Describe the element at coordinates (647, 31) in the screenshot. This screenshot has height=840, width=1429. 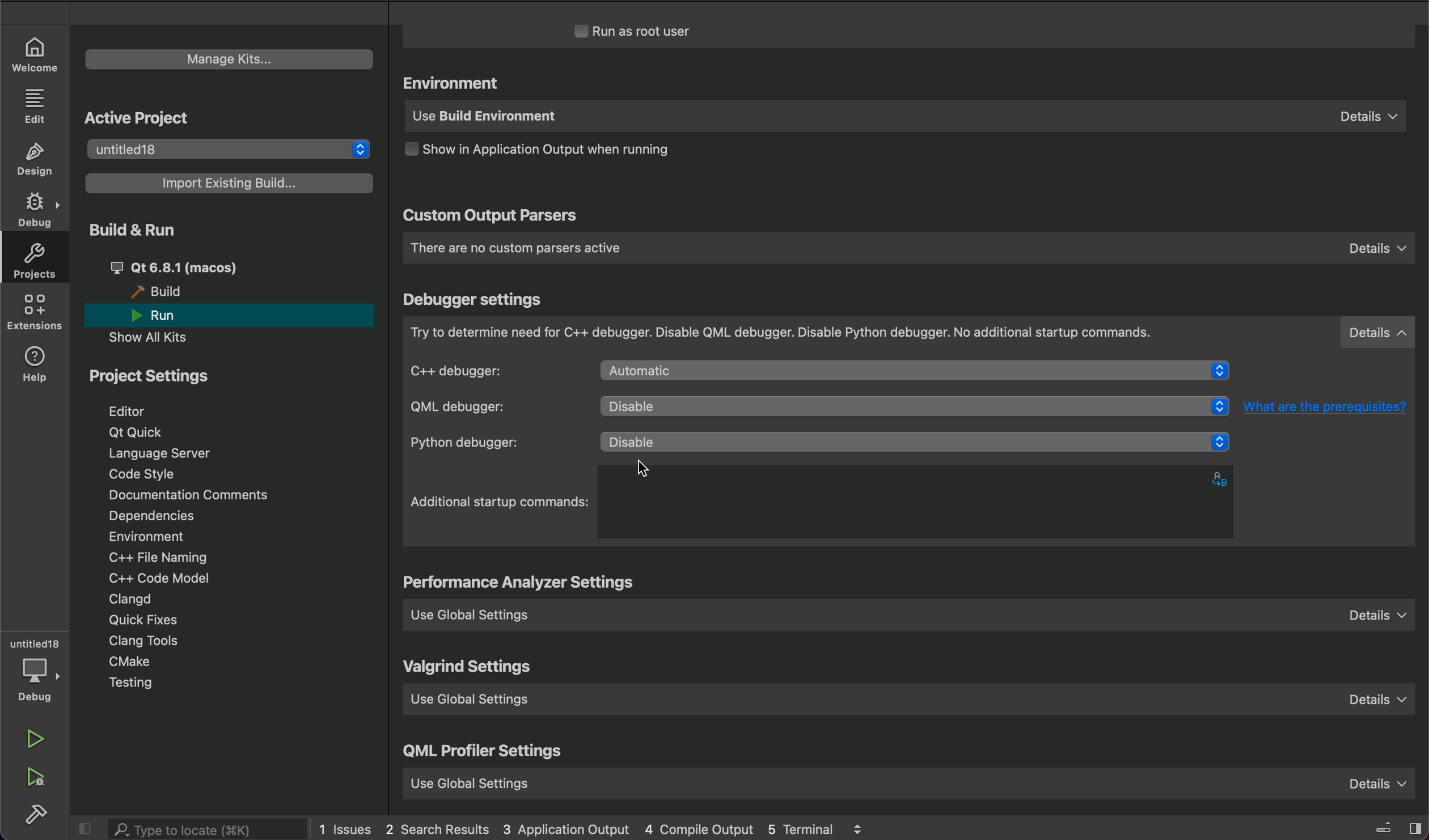
I see `run as root user` at that location.